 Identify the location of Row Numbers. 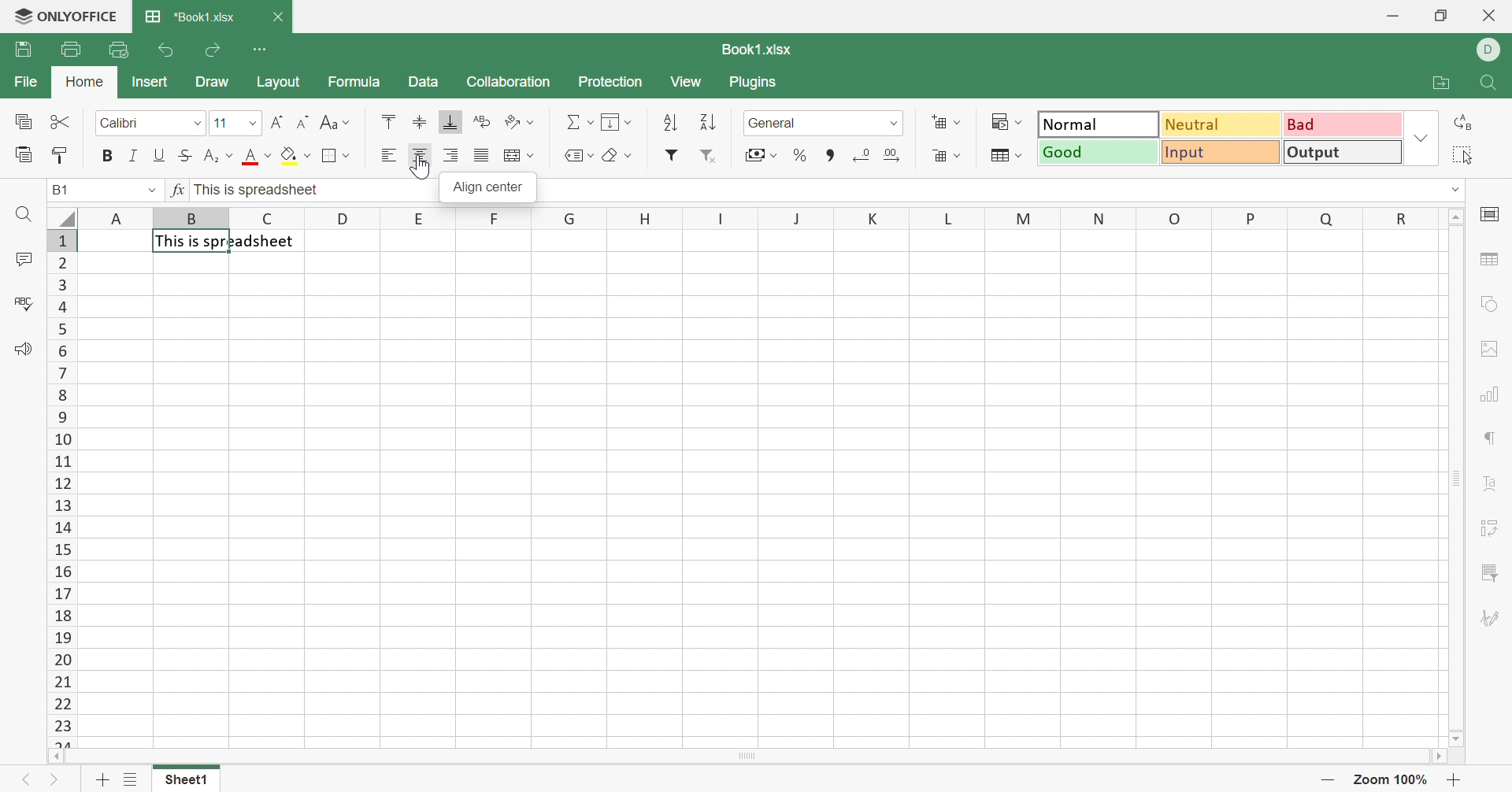
(61, 487).